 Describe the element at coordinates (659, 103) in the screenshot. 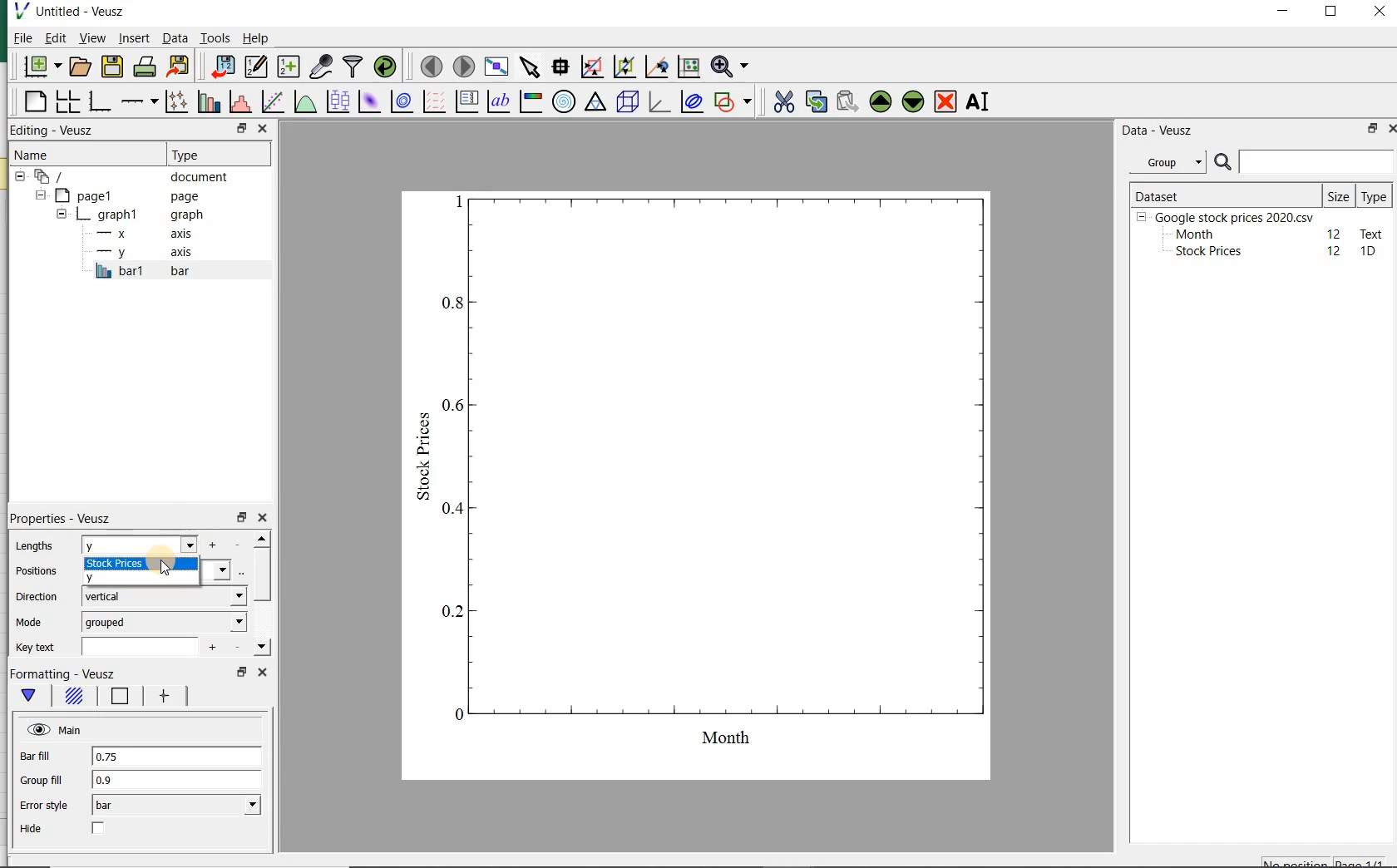

I see `3d graph` at that location.